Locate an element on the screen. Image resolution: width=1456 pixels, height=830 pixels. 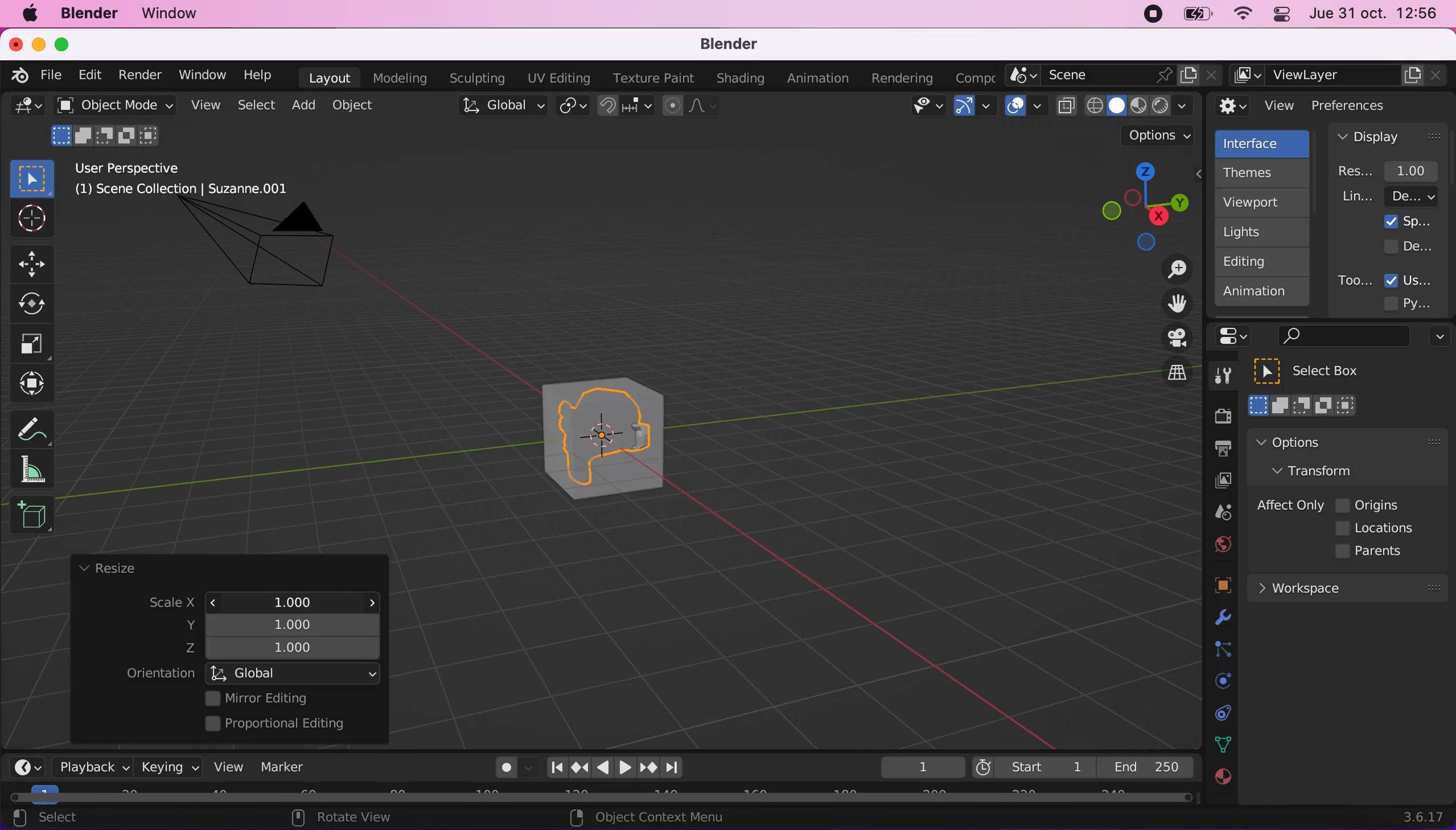
camera is located at coordinates (272, 255).